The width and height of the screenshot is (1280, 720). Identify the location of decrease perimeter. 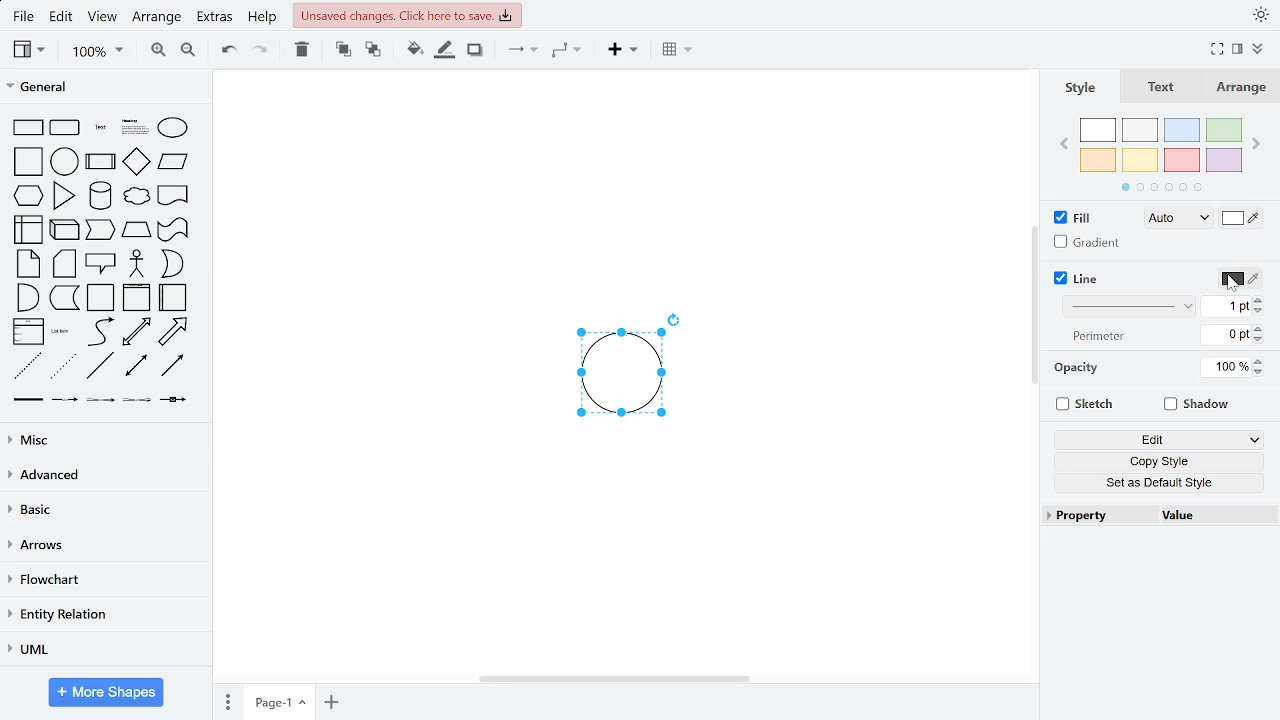
(1259, 340).